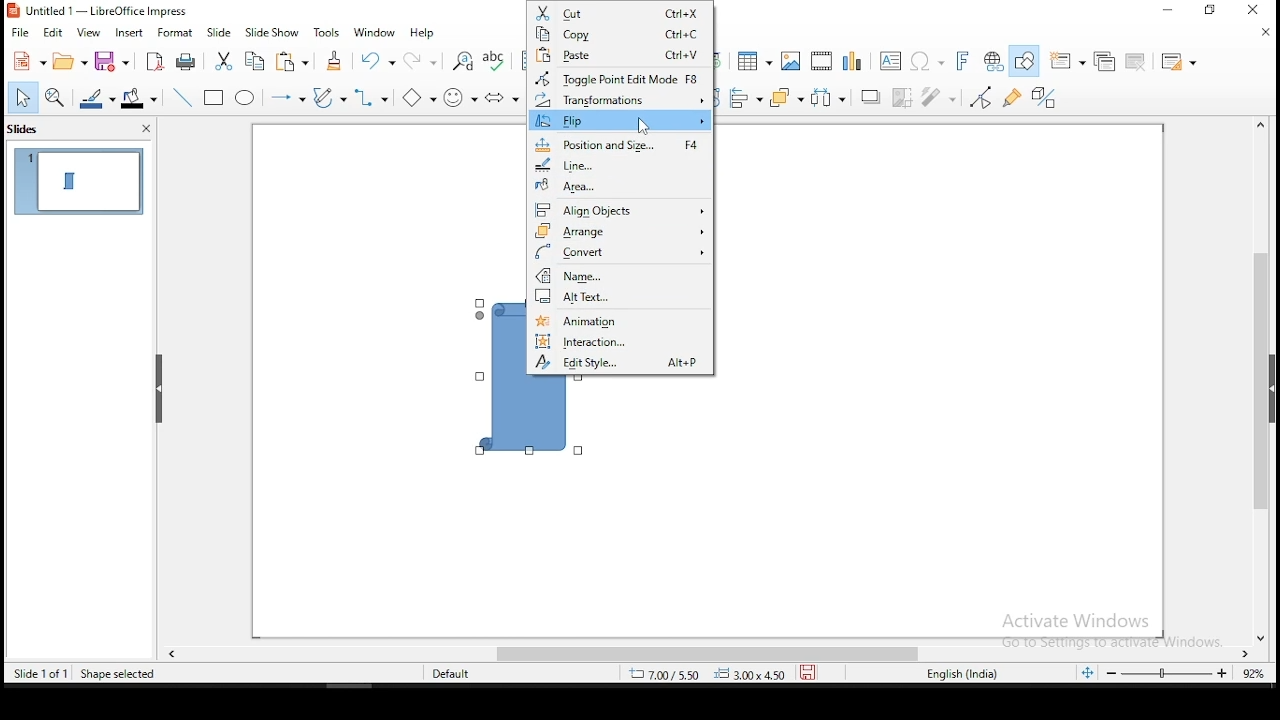  What do you see at coordinates (215, 100) in the screenshot?
I see `rectangle` at bounding box center [215, 100].